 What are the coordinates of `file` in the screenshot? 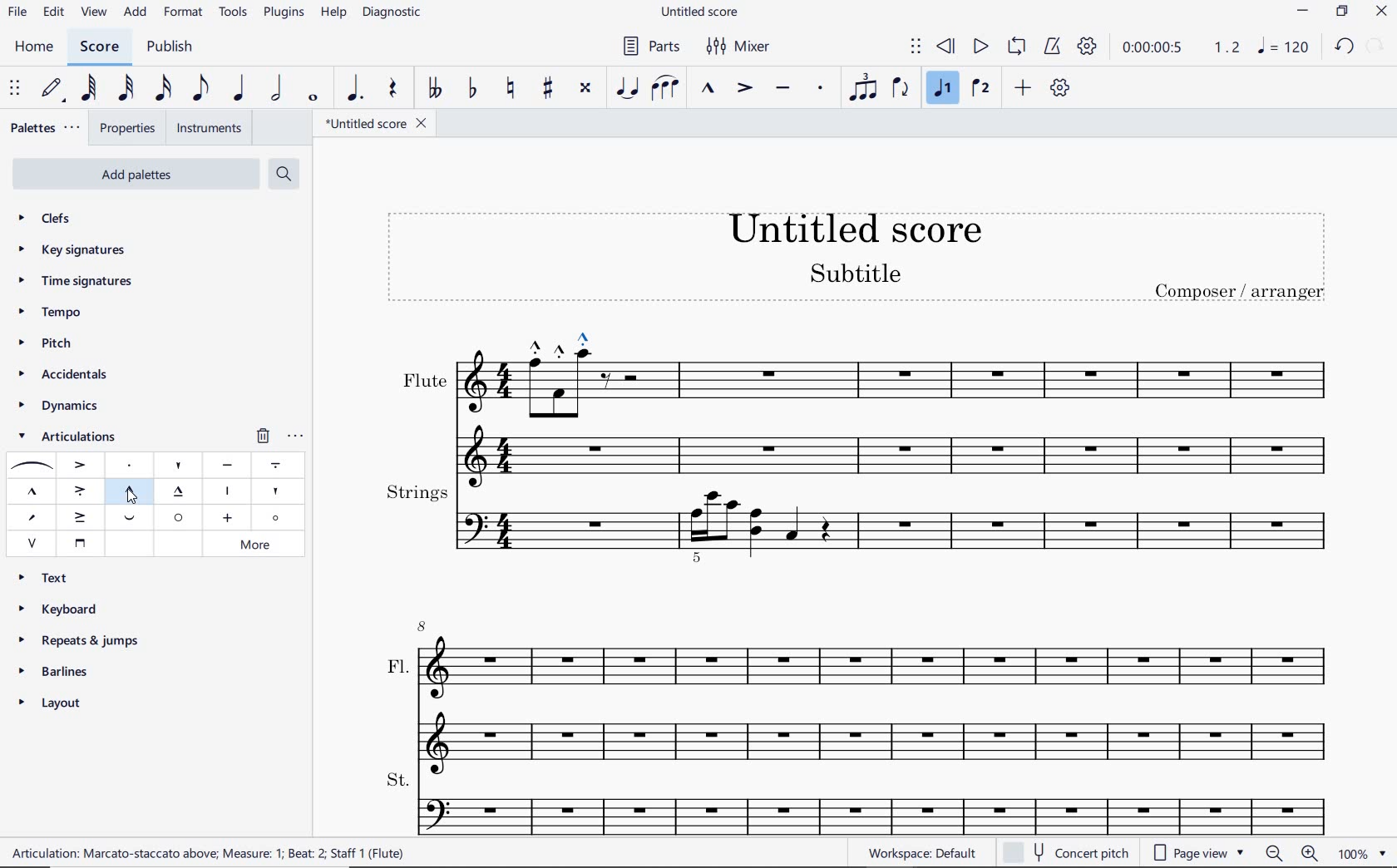 It's located at (16, 13).